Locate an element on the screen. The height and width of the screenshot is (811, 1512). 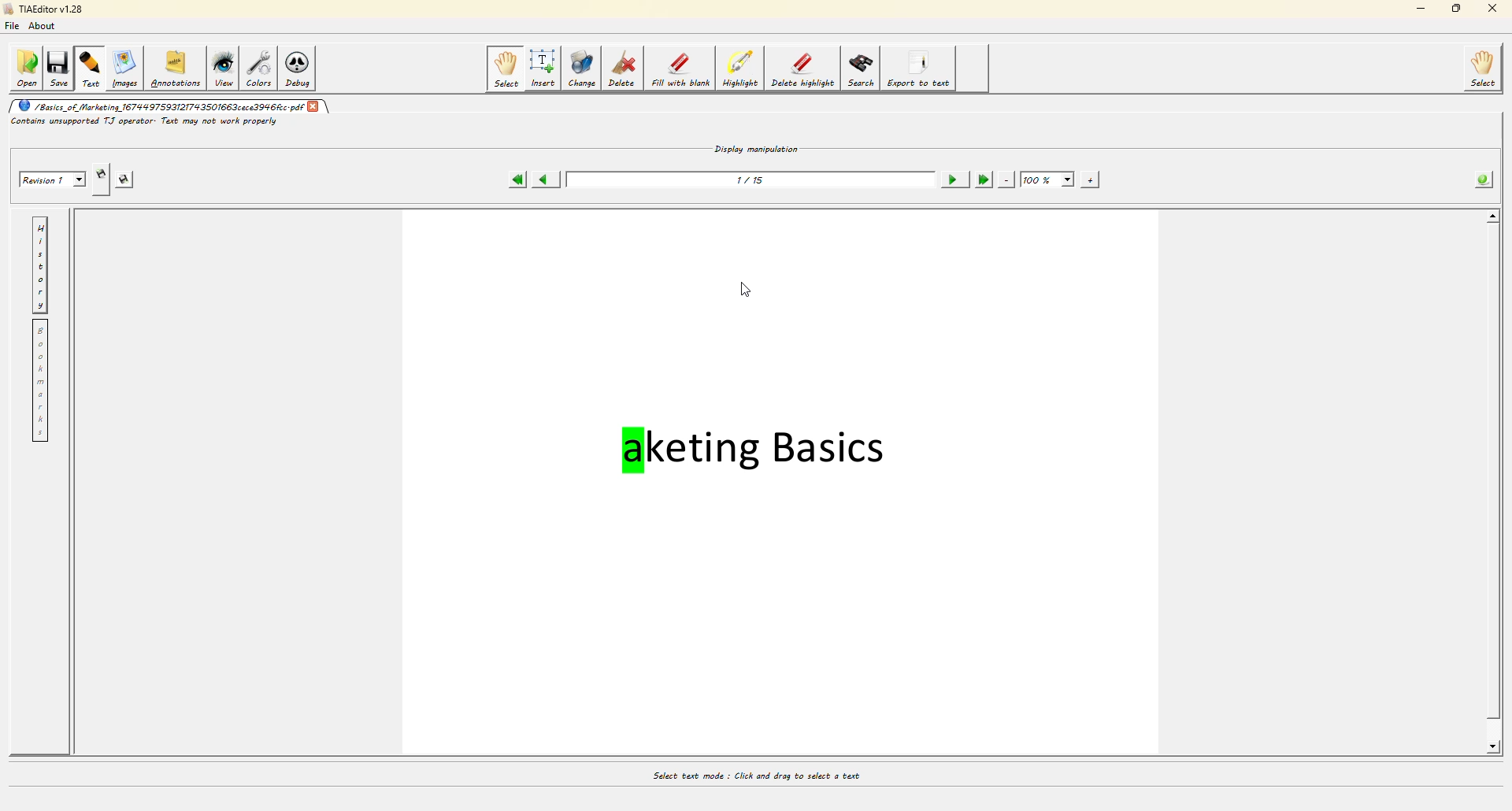
history is located at coordinates (39, 267).